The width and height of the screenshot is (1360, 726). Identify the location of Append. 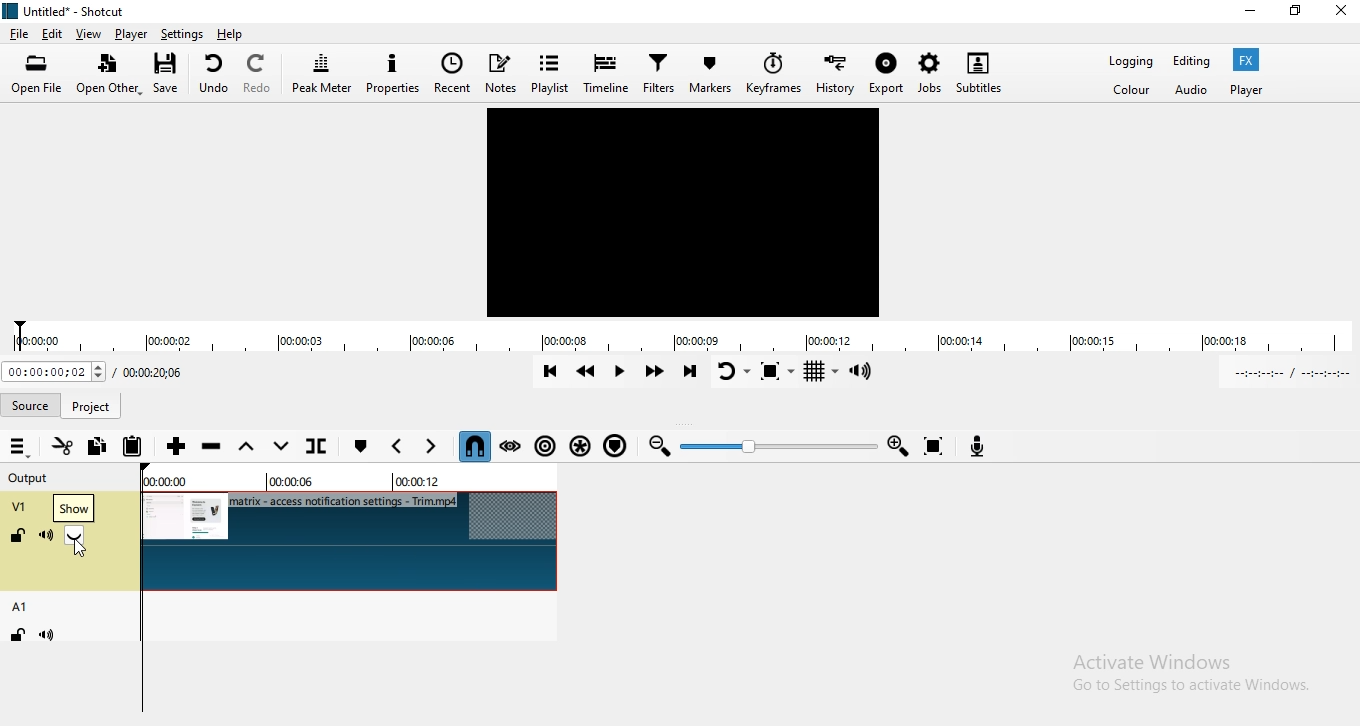
(173, 445).